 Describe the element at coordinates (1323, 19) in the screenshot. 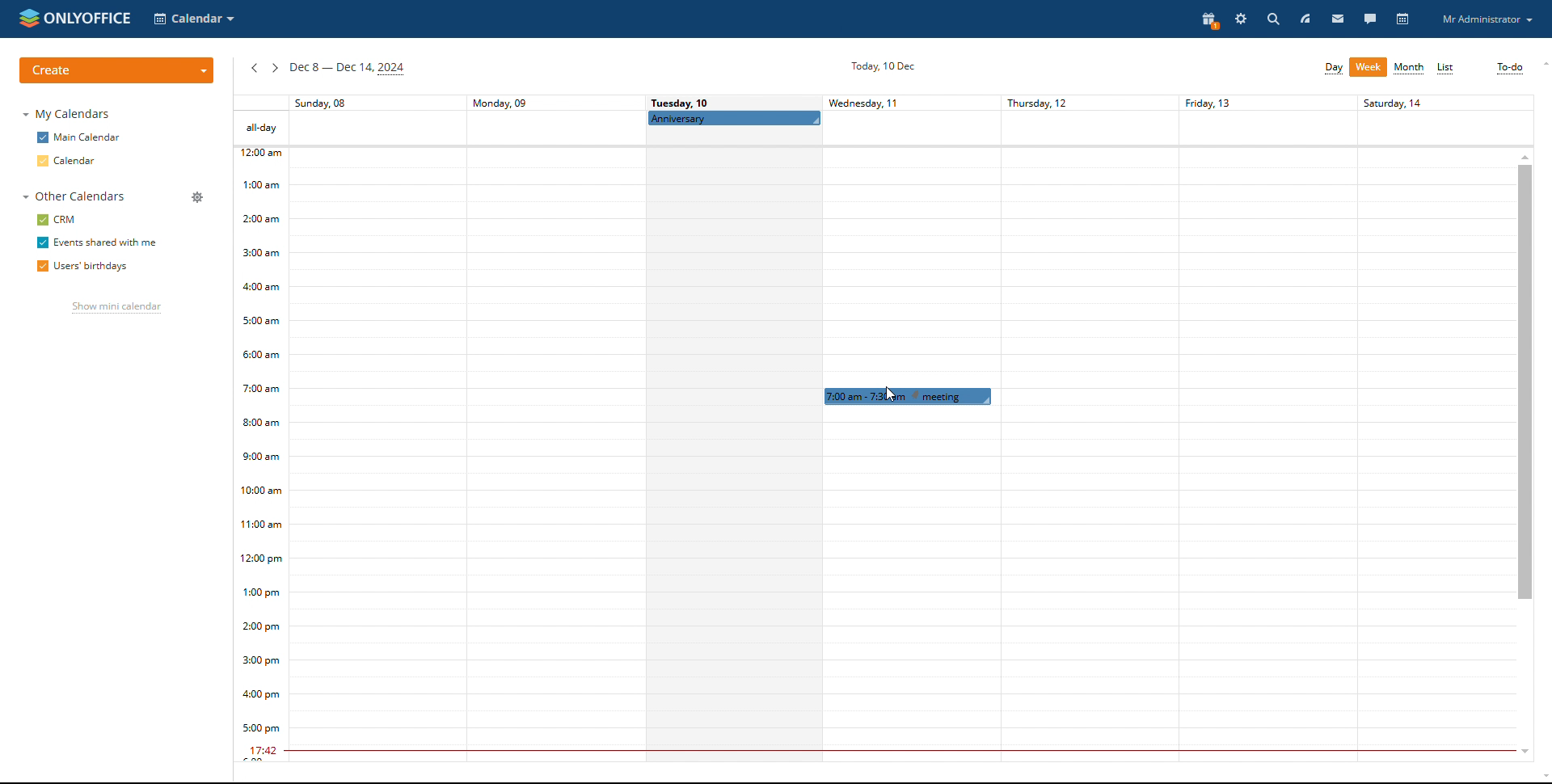

I see `feed` at that location.